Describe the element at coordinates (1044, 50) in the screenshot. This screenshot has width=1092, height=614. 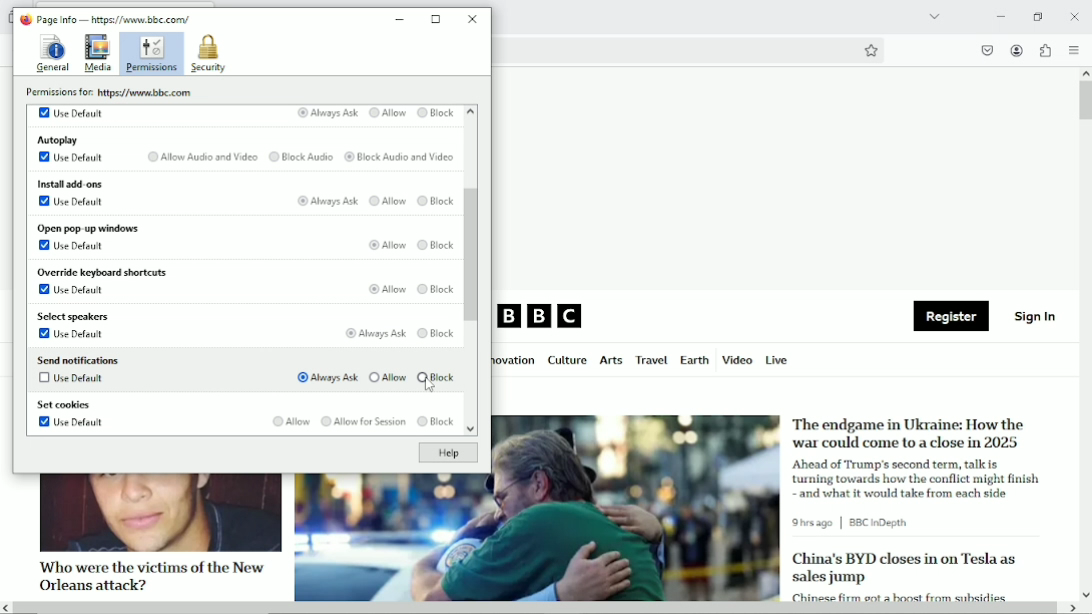
I see `Extensions` at that location.